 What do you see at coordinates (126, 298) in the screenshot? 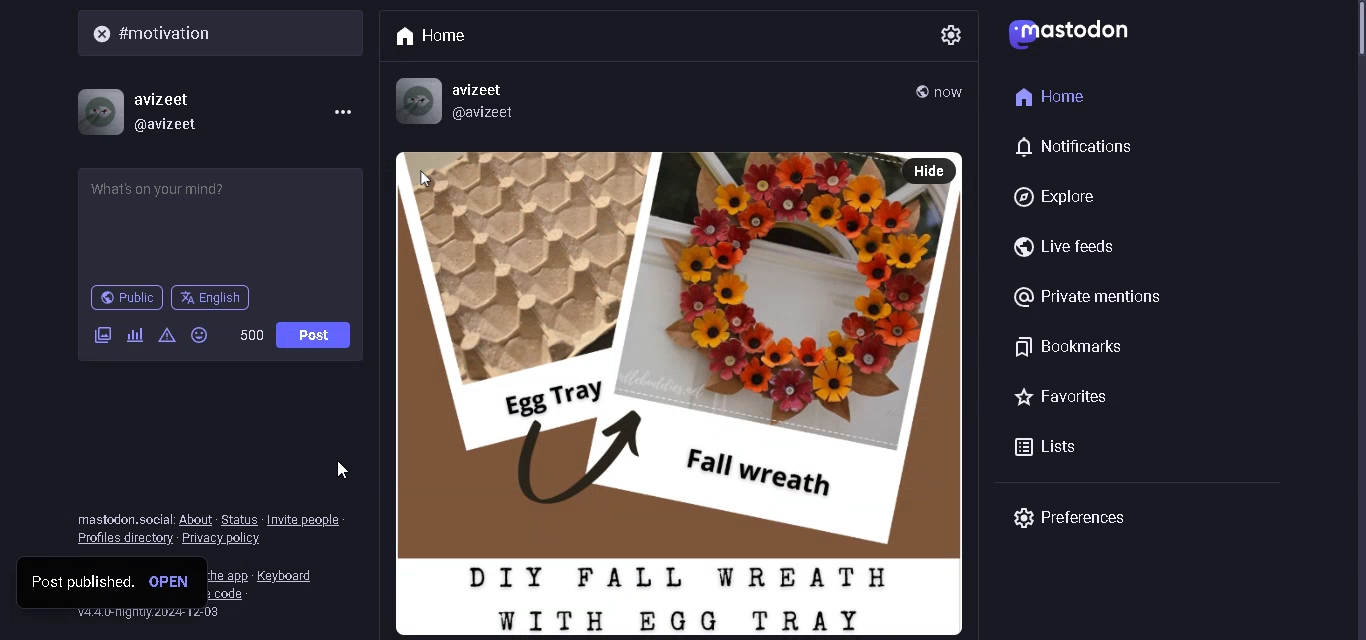
I see `public post` at bounding box center [126, 298].